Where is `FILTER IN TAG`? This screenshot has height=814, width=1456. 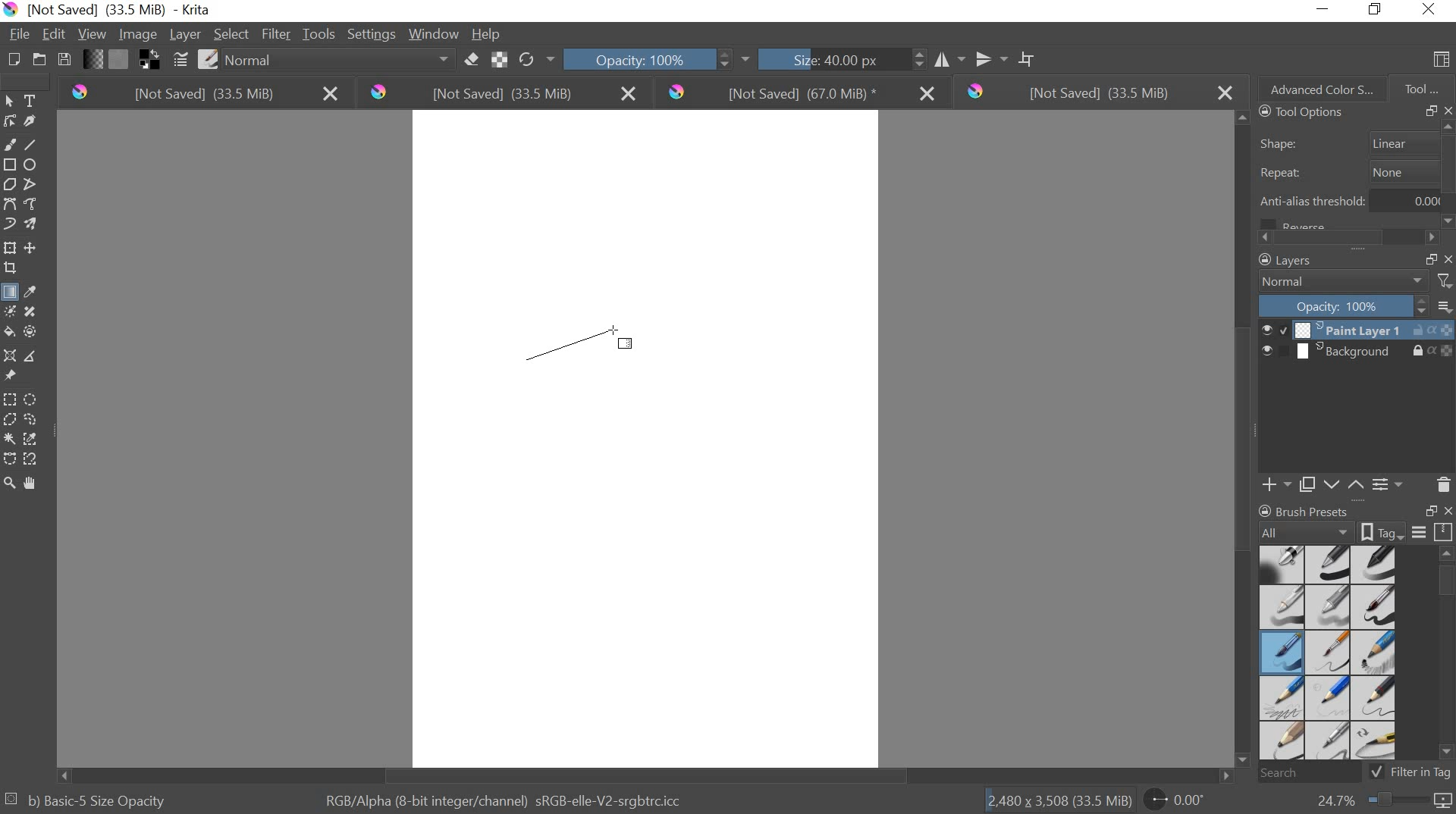
FILTER IN TAG is located at coordinates (1424, 773).